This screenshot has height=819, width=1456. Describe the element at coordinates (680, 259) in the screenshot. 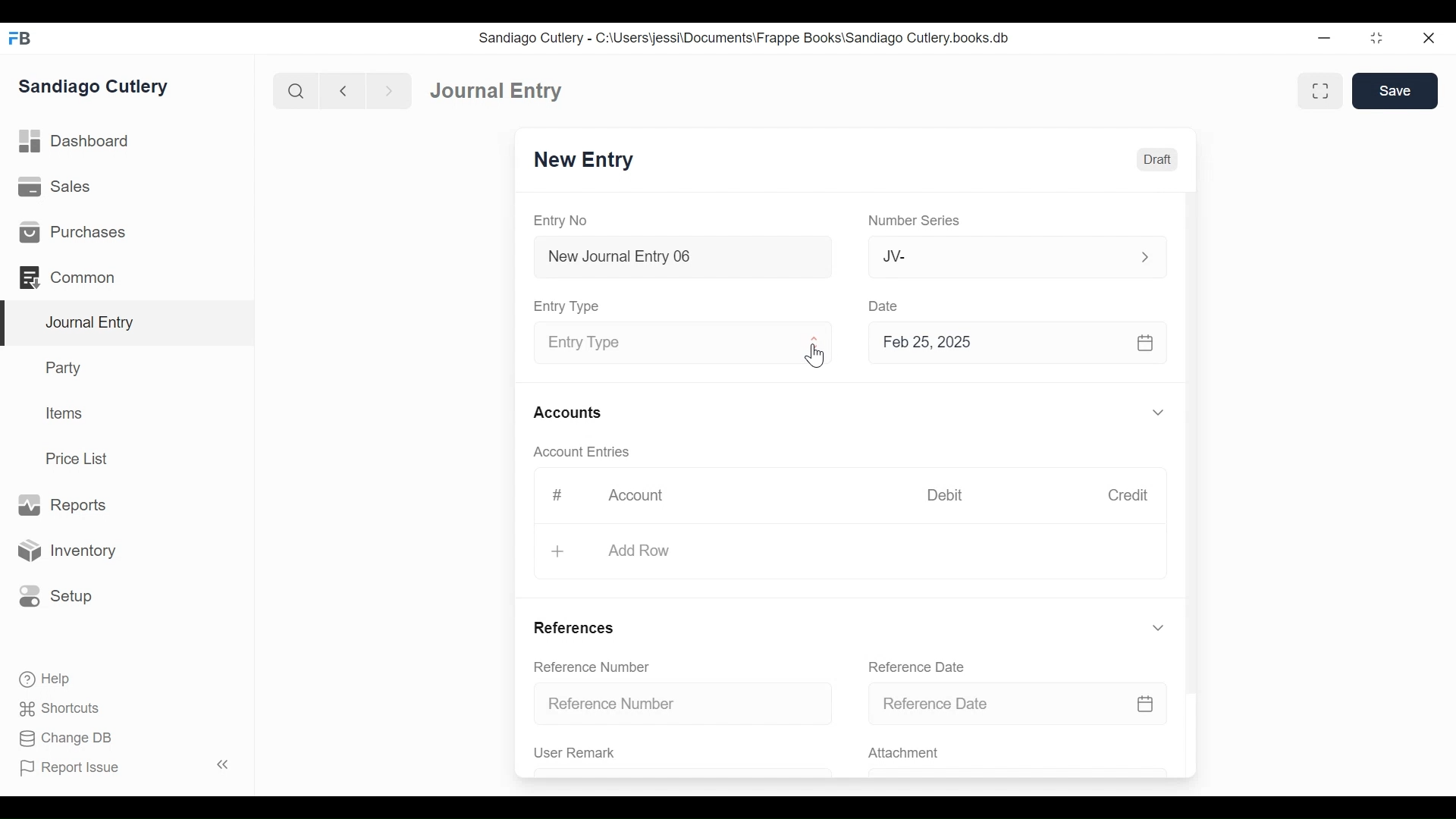

I see `New Journal Entry 06` at that location.